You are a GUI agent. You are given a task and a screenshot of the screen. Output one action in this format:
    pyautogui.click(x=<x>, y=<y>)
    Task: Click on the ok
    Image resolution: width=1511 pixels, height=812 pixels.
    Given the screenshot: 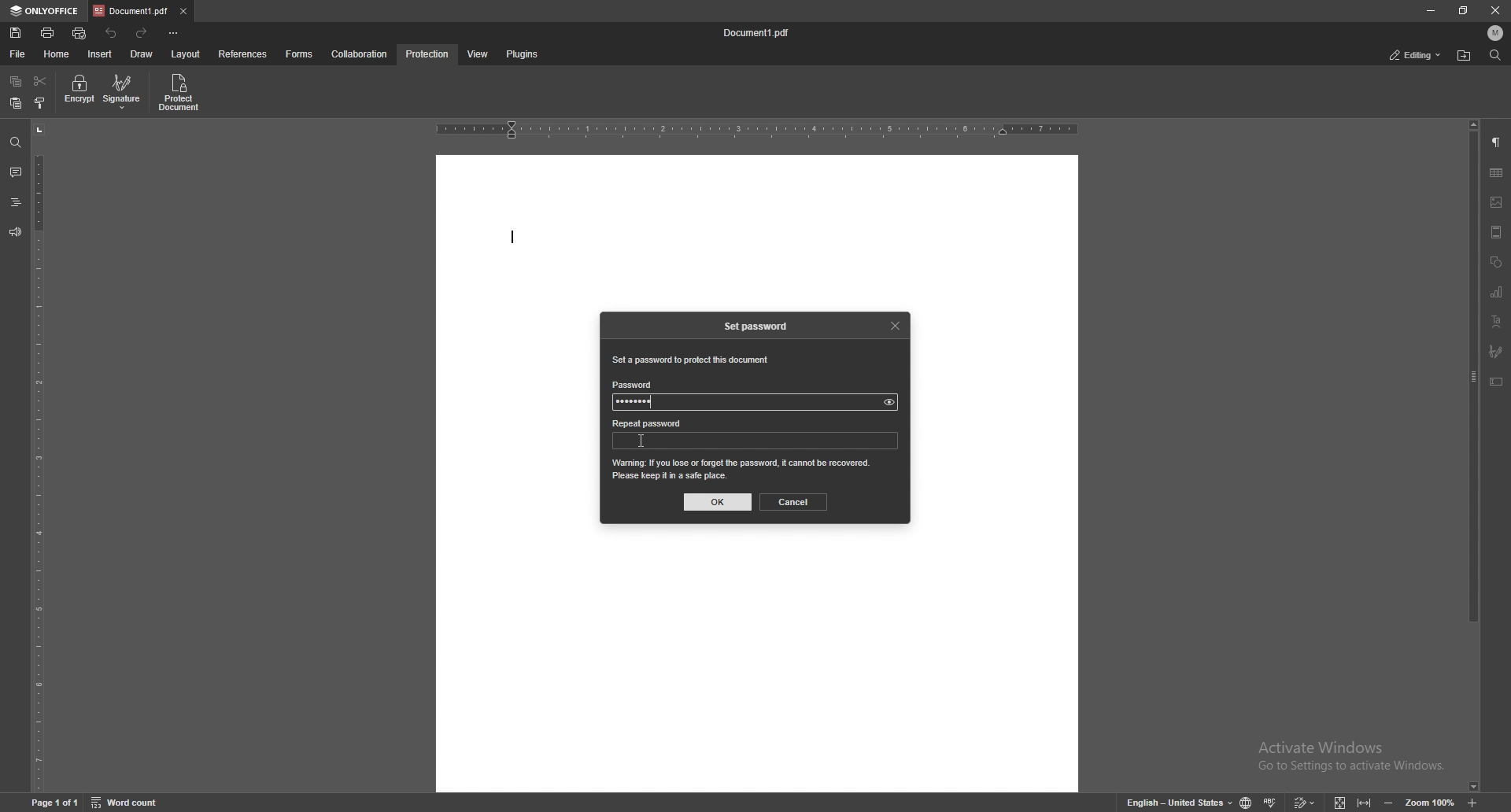 What is the action you would take?
    pyautogui.click(x=718, y=502)
    